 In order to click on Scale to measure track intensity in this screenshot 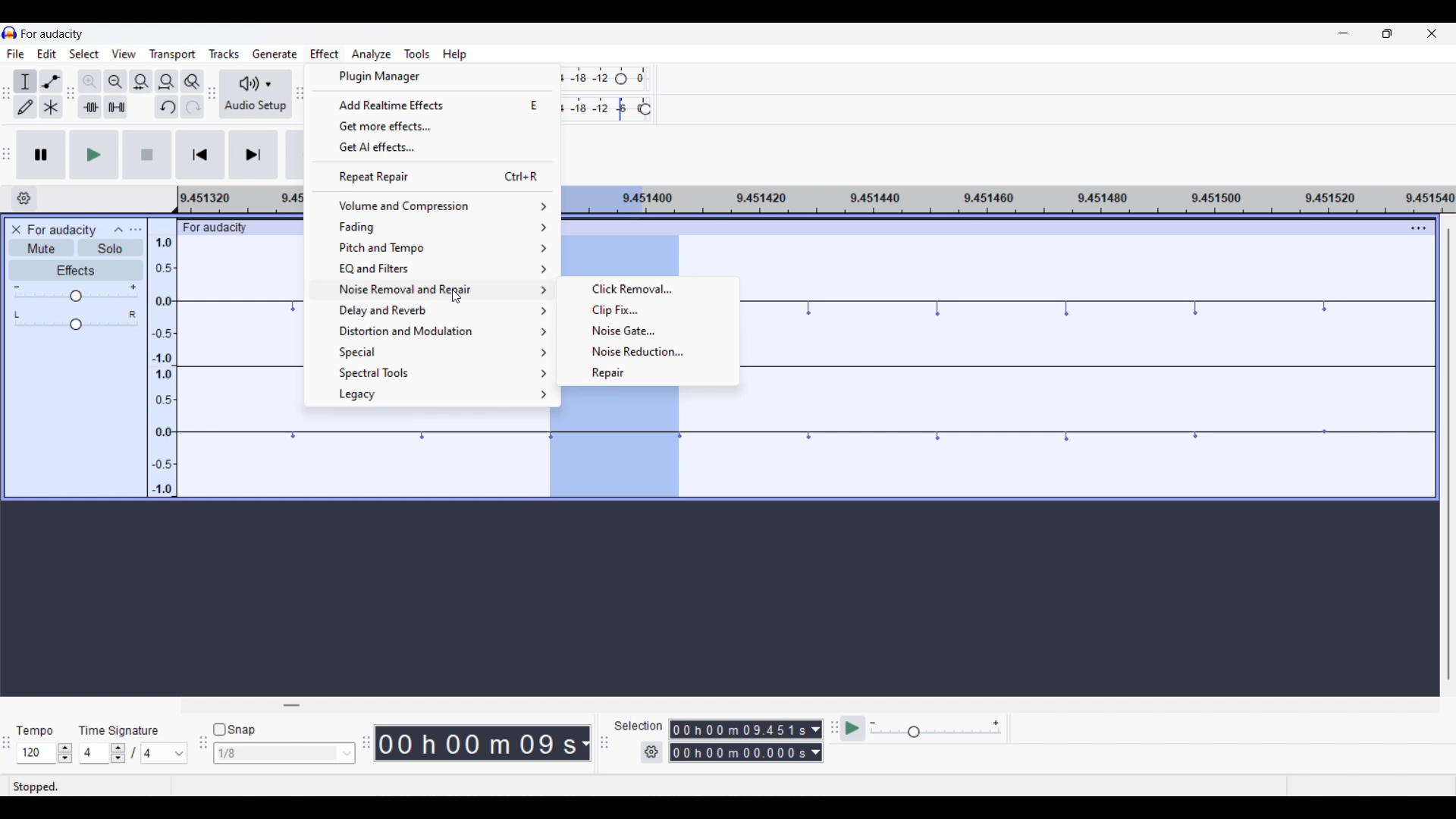, I will do `click(162, 358)`.